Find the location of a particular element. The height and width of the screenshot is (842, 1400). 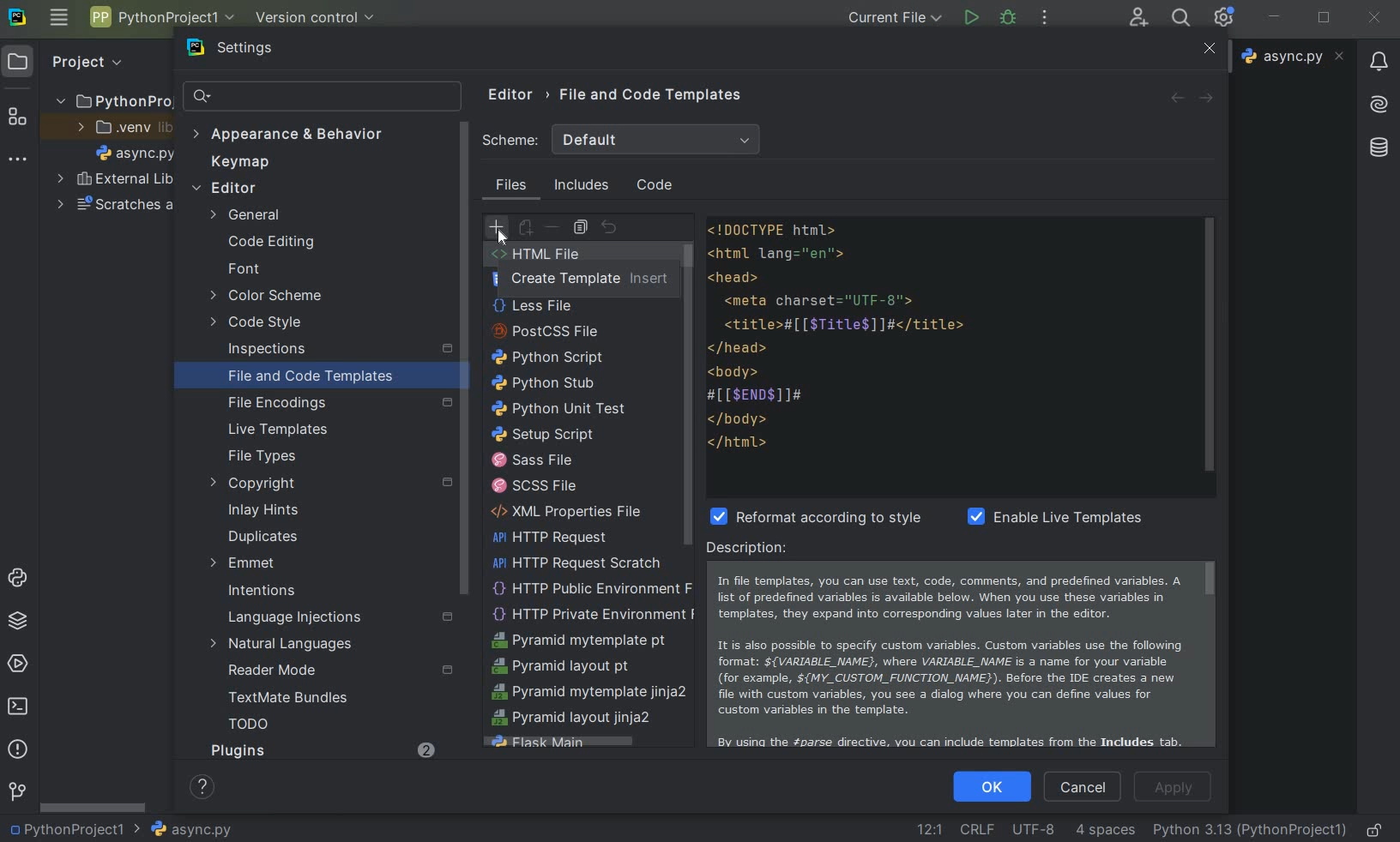

HTTP Request is located at coordinates (548, 538).